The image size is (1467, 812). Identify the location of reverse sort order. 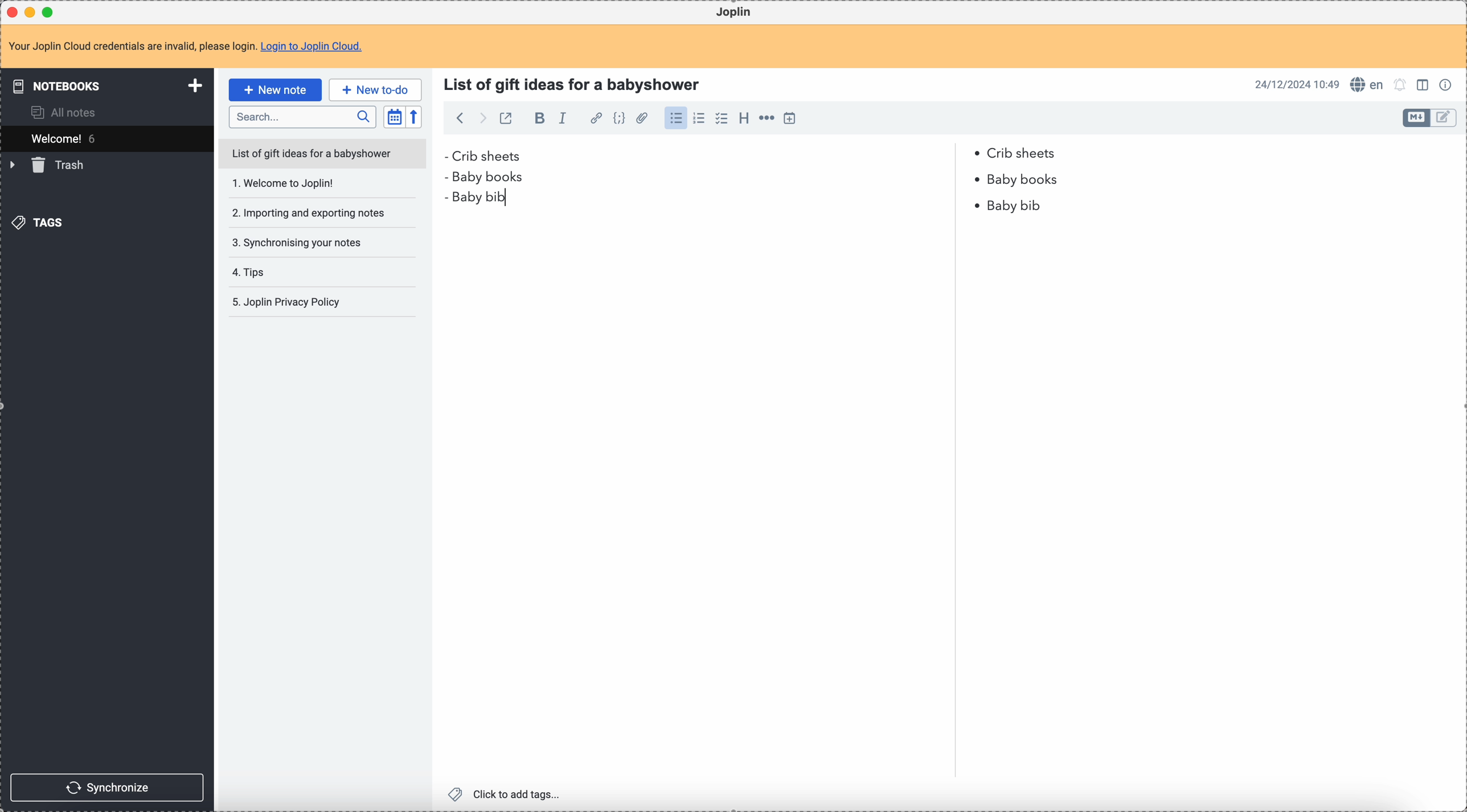
(413, 118).